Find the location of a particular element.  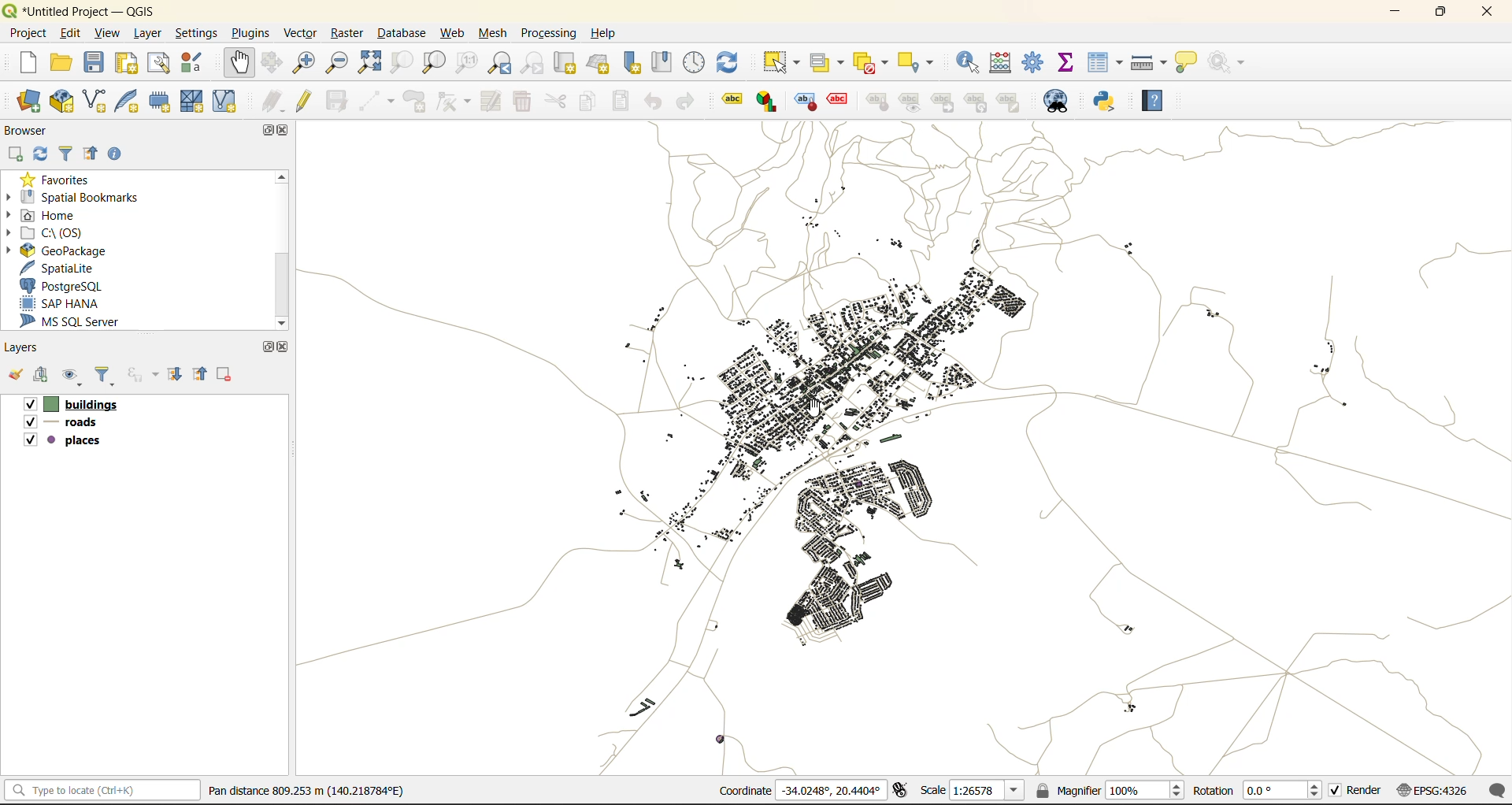

settings is located at coordinates (196, 31).